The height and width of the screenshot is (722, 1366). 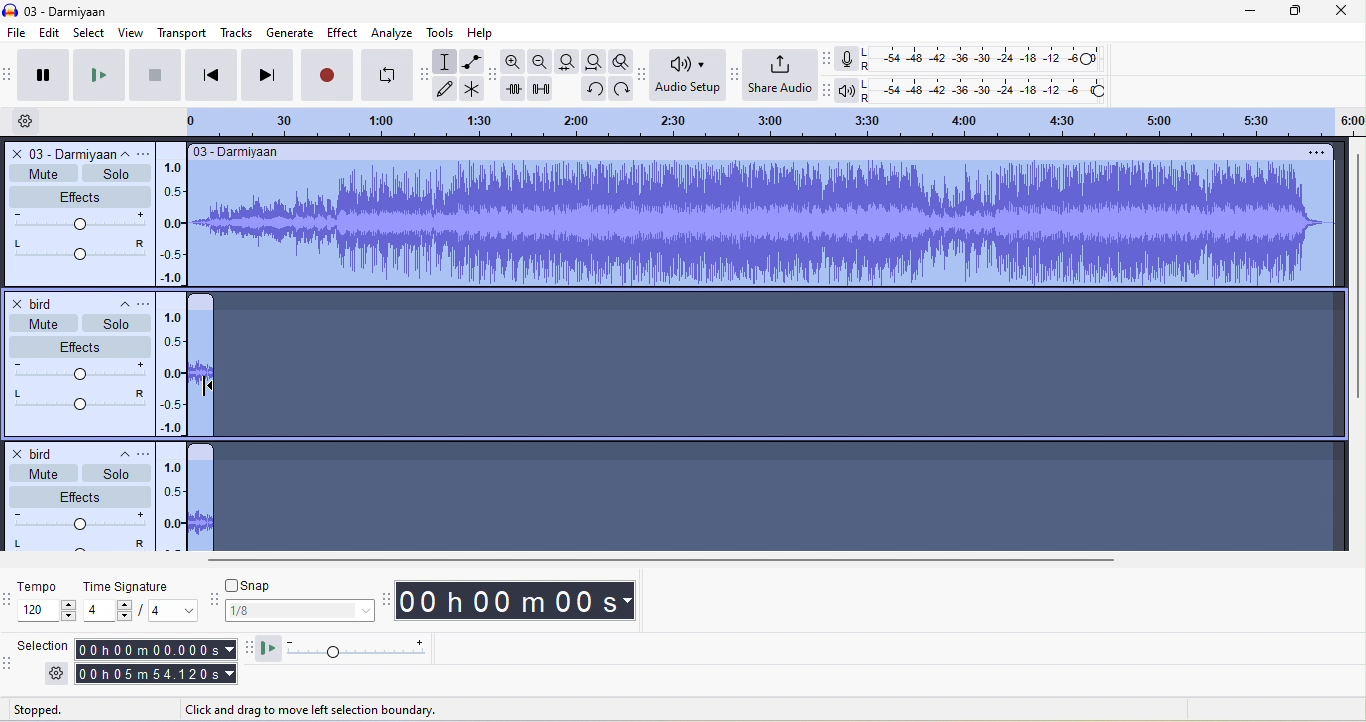 I want to click on solo, so click(x=116, y=176).